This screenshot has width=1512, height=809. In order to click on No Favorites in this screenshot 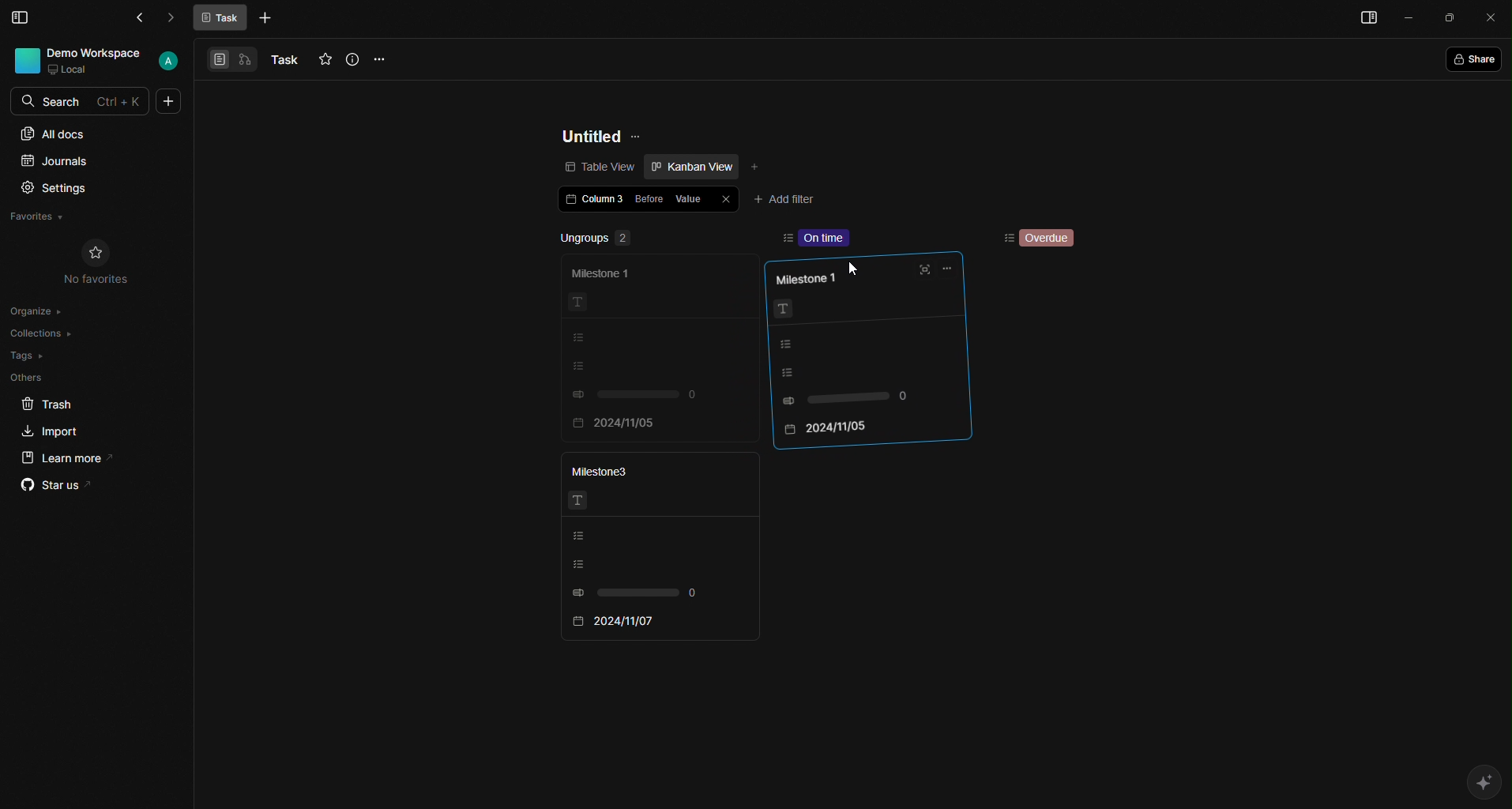, I will do `click(96, 263)`.